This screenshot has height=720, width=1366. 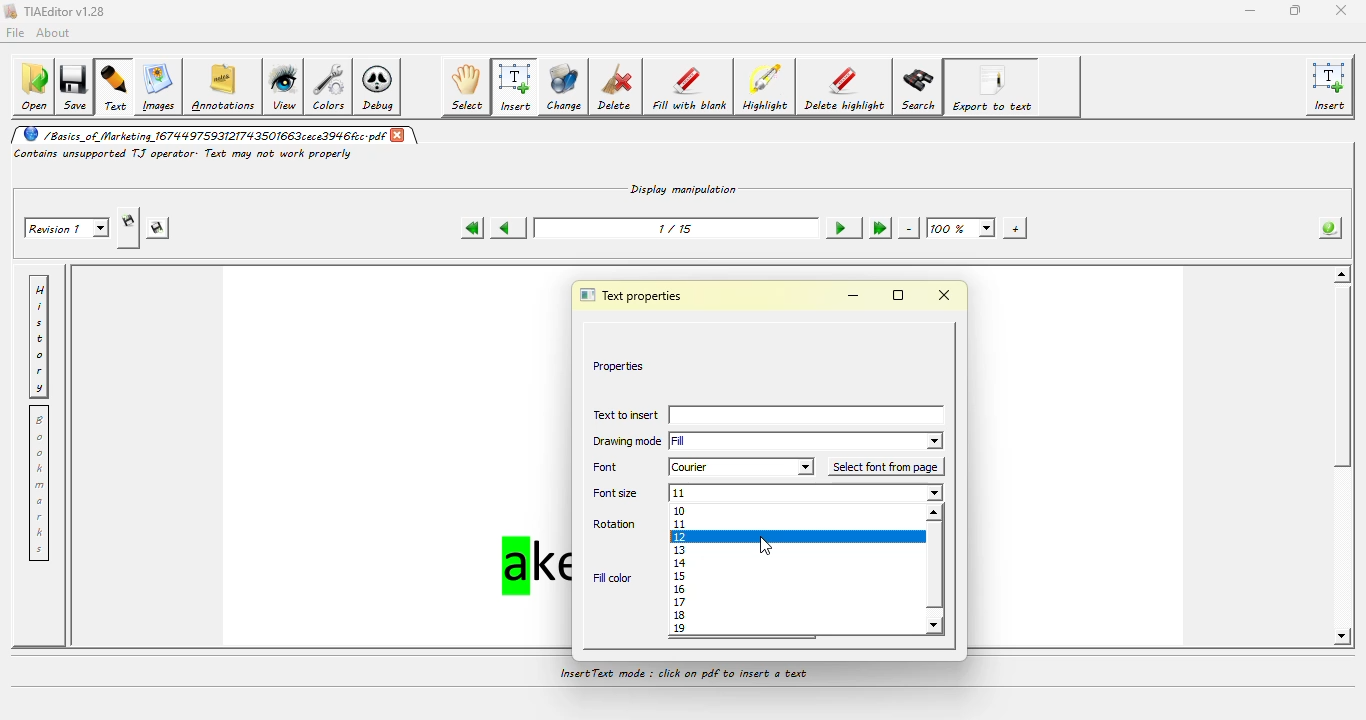 What do you see at coordinates (619, 365) in the screenshot?
I see `Properties` at bounding box center [619, 365].